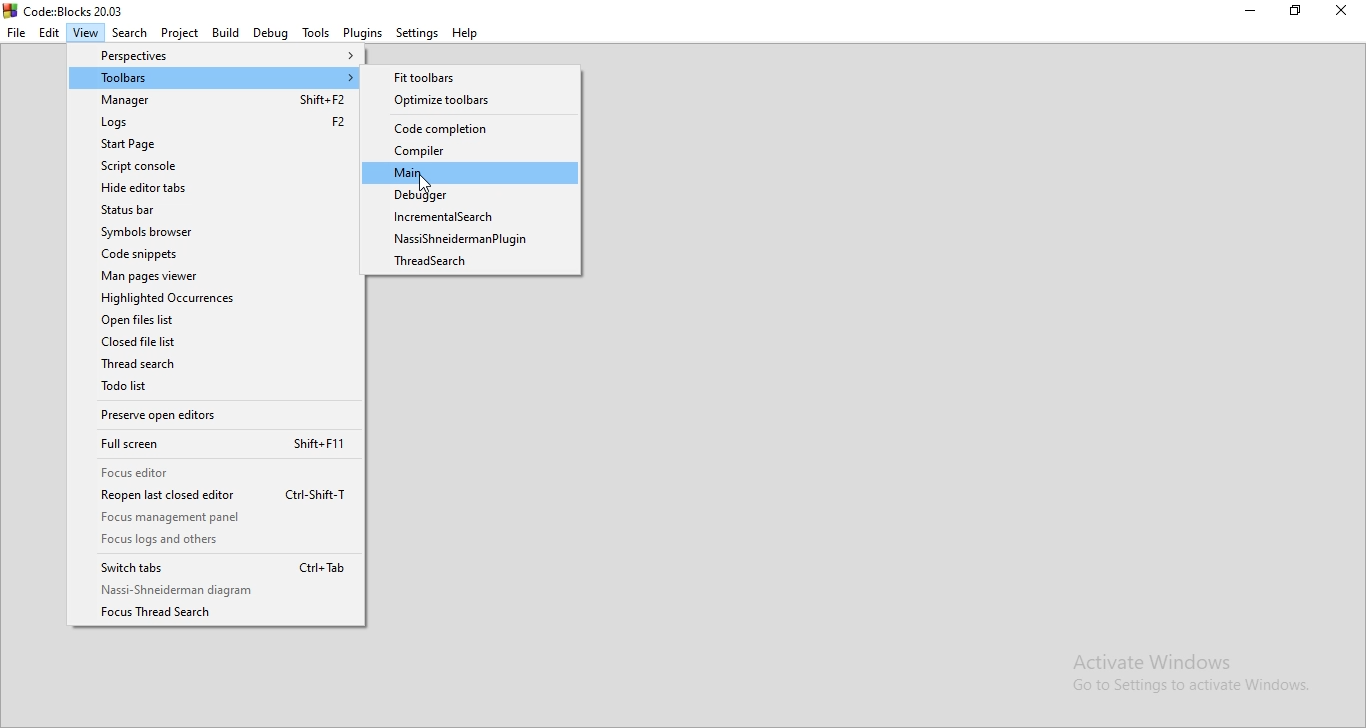 The image size is (1366, 728). What do you see at coordinates (474, 196) in the screenshot?
I see `Debugger` at bounding box center [474, 196].